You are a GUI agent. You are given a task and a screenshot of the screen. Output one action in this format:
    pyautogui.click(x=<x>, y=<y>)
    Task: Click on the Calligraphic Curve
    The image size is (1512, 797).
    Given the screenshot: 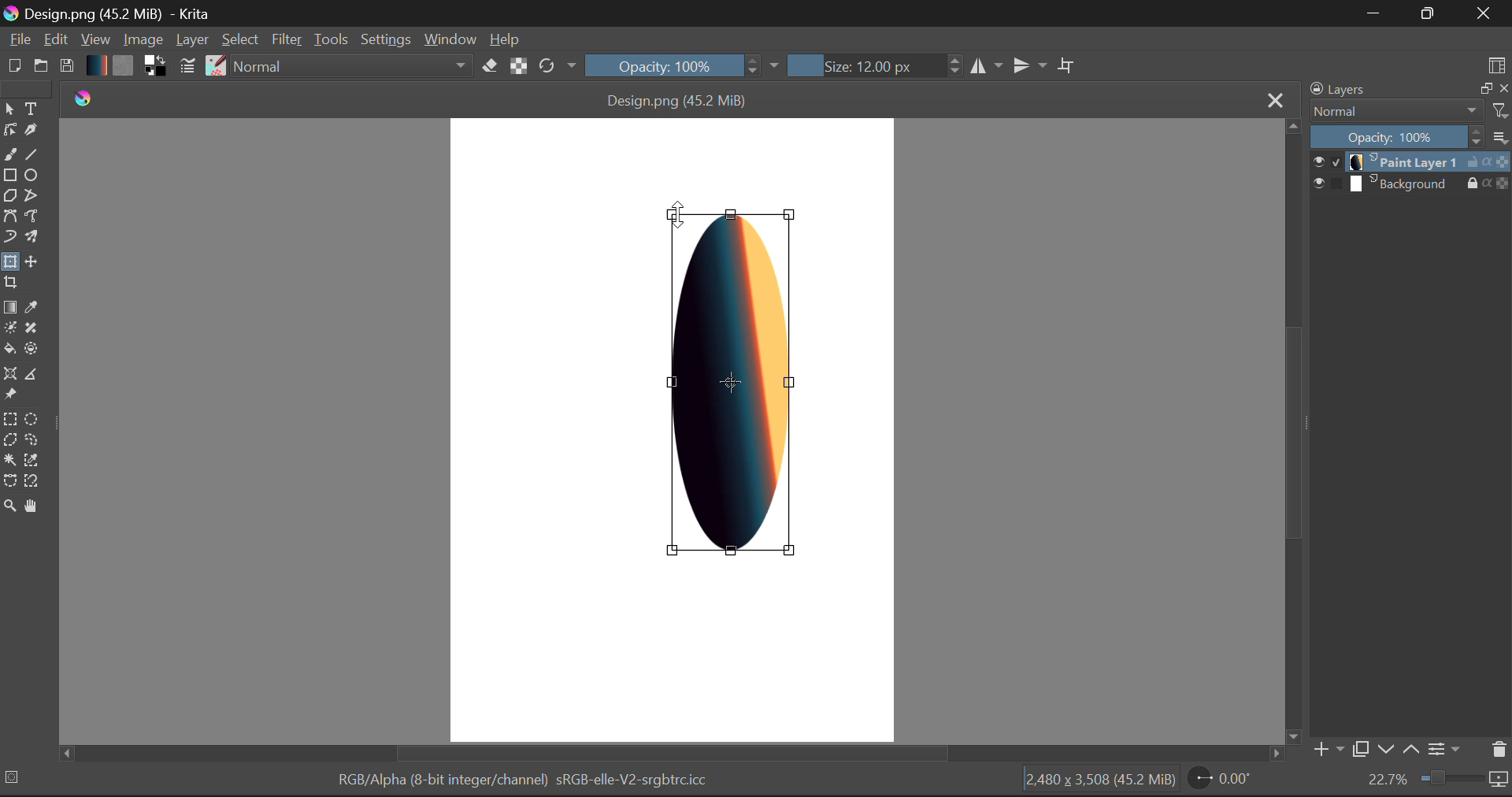 What is the action you would take?
    pyautogui.click(x=31, y=131)
    